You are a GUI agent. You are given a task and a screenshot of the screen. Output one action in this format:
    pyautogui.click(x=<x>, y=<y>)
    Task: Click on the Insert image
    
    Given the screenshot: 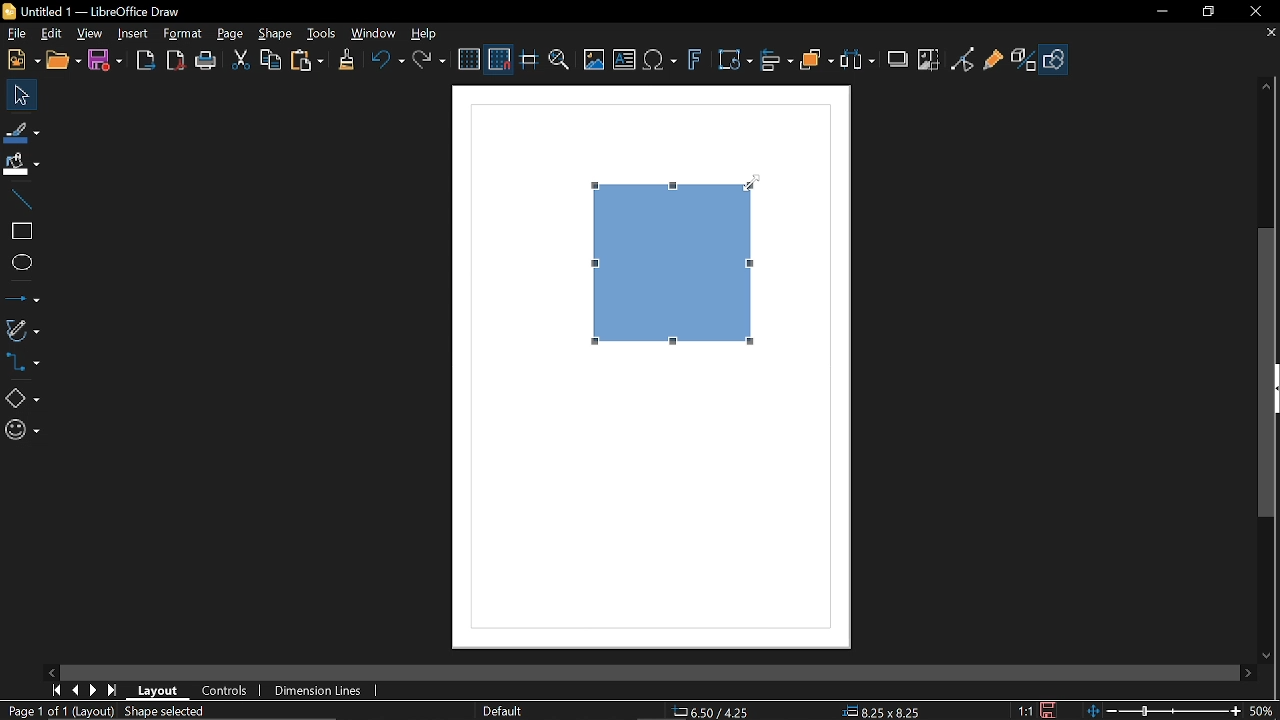 What is the action you would take?
    pyautogui.click(x=592, y=60)
    